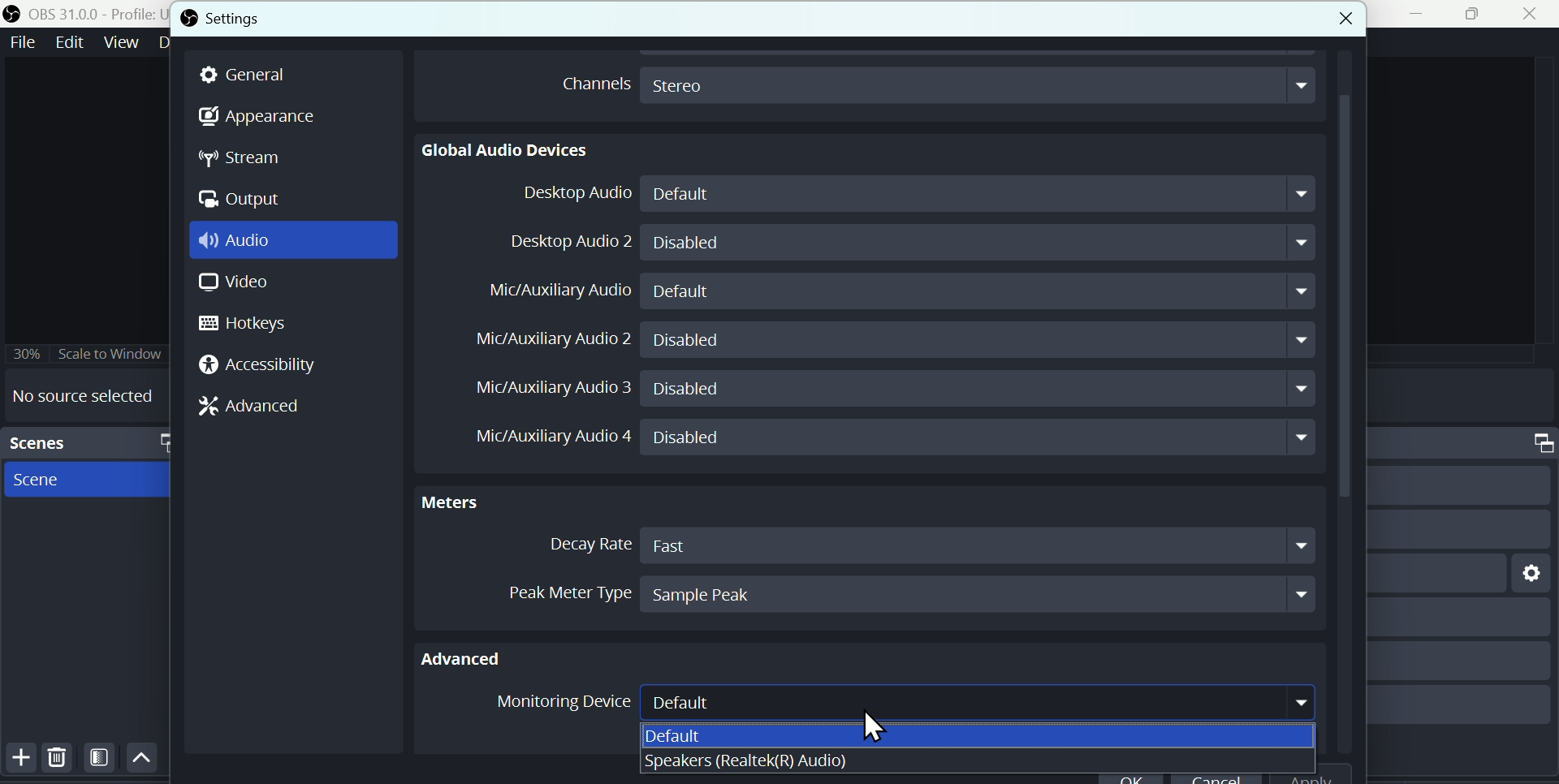 Image resolution: width=1559 pixels, height=784 pixels. Describe the element at coordinates (261, 18) in the screenshot. I see `Settings` at that location.